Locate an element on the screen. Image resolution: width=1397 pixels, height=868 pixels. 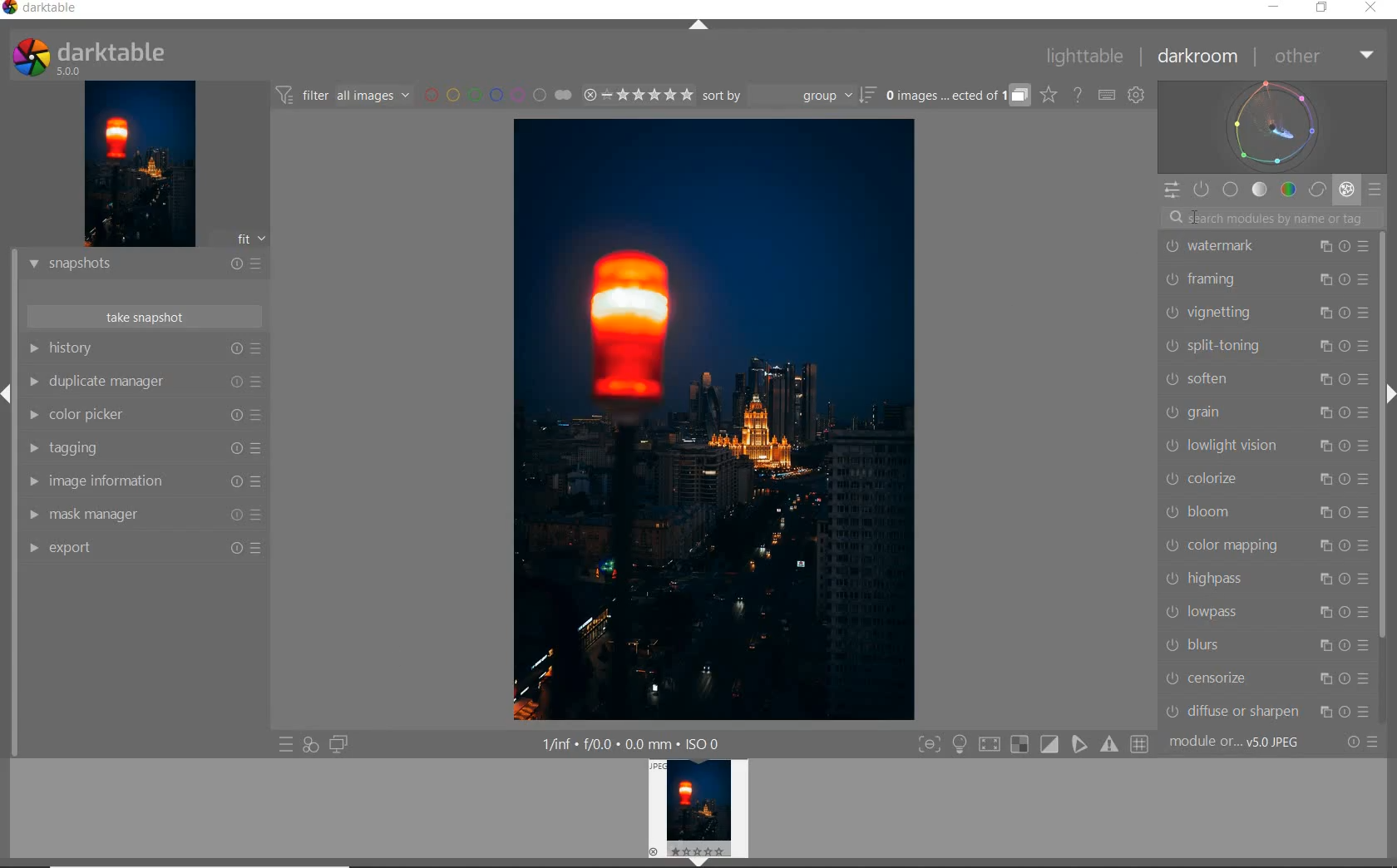
Preset and reset is located at coordinates (1366, 412).